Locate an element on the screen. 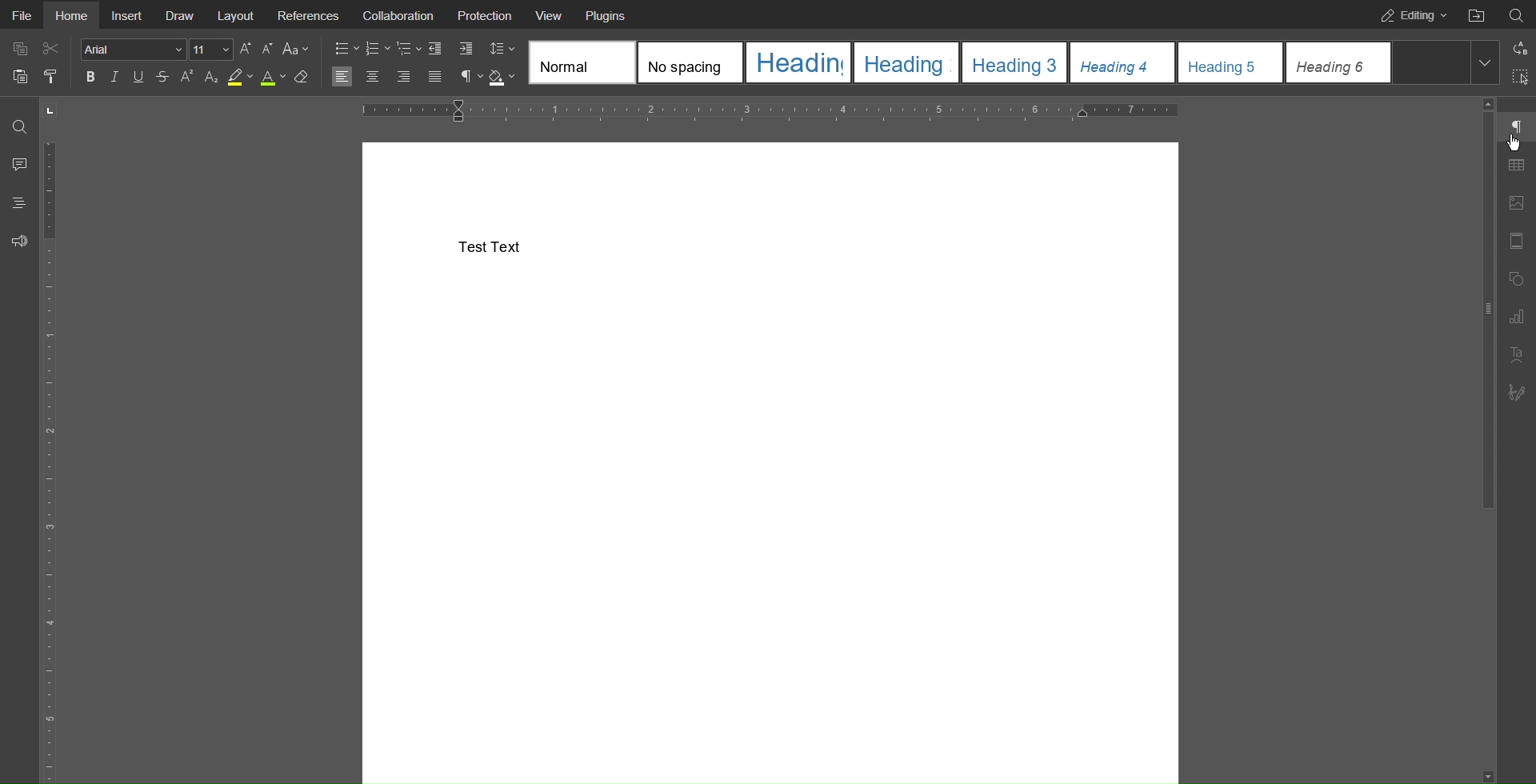  Protection is located at coordinates (486, 14).